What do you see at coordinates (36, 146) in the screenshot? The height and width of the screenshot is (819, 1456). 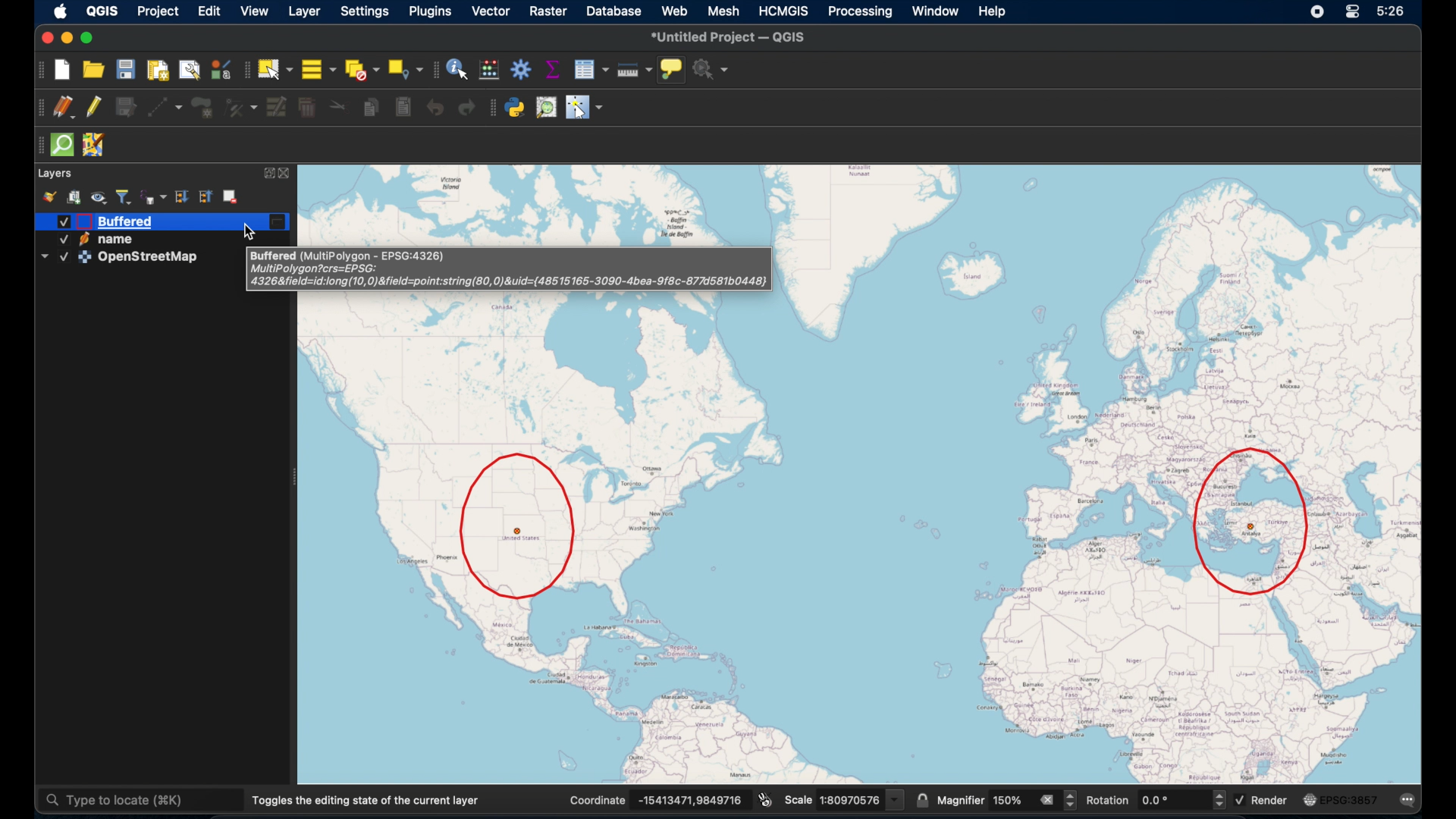 I see `drag handle` at bounding box center [36, 146].